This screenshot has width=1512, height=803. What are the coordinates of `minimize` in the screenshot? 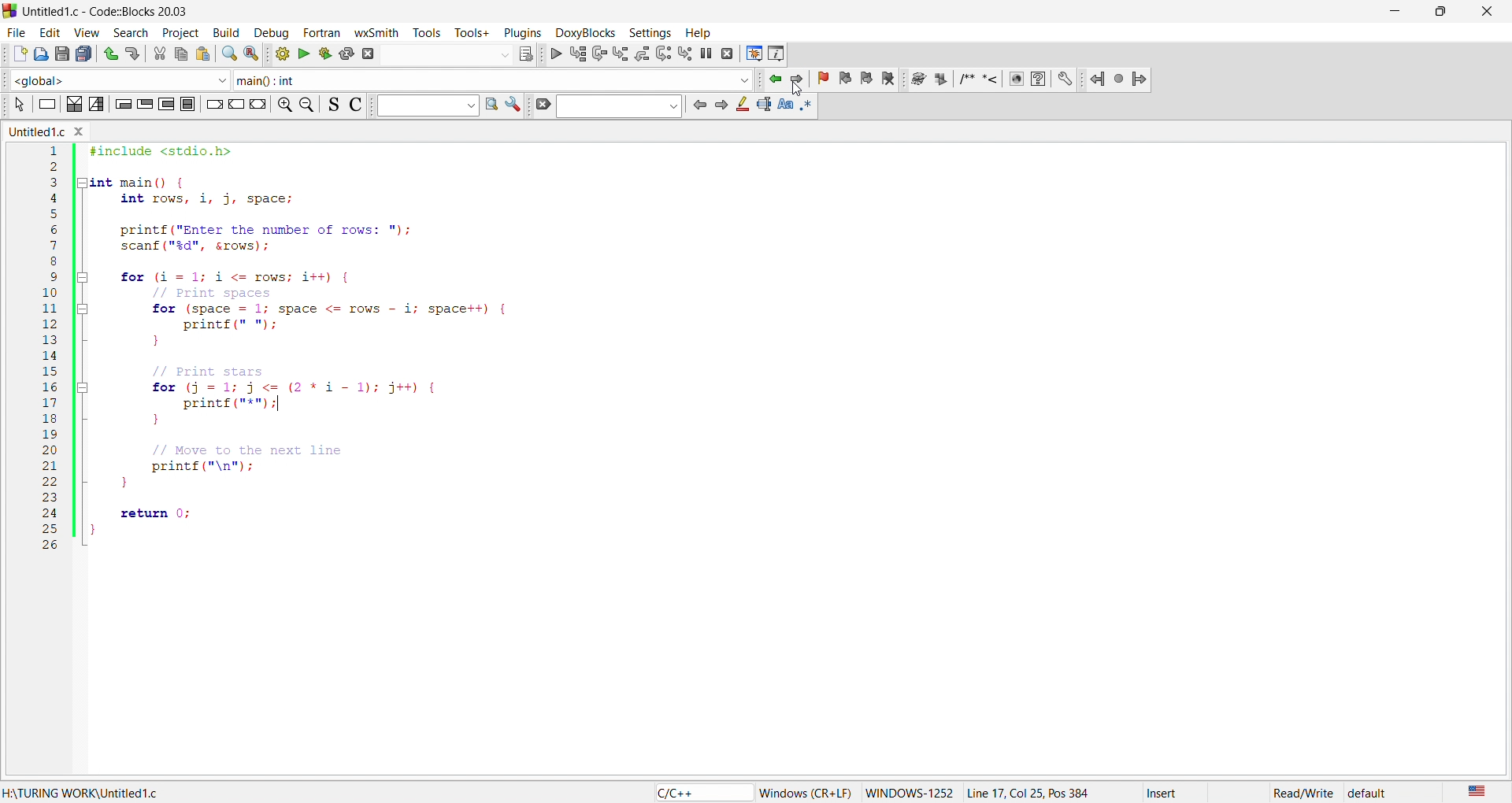 It's located at (1396, 11).